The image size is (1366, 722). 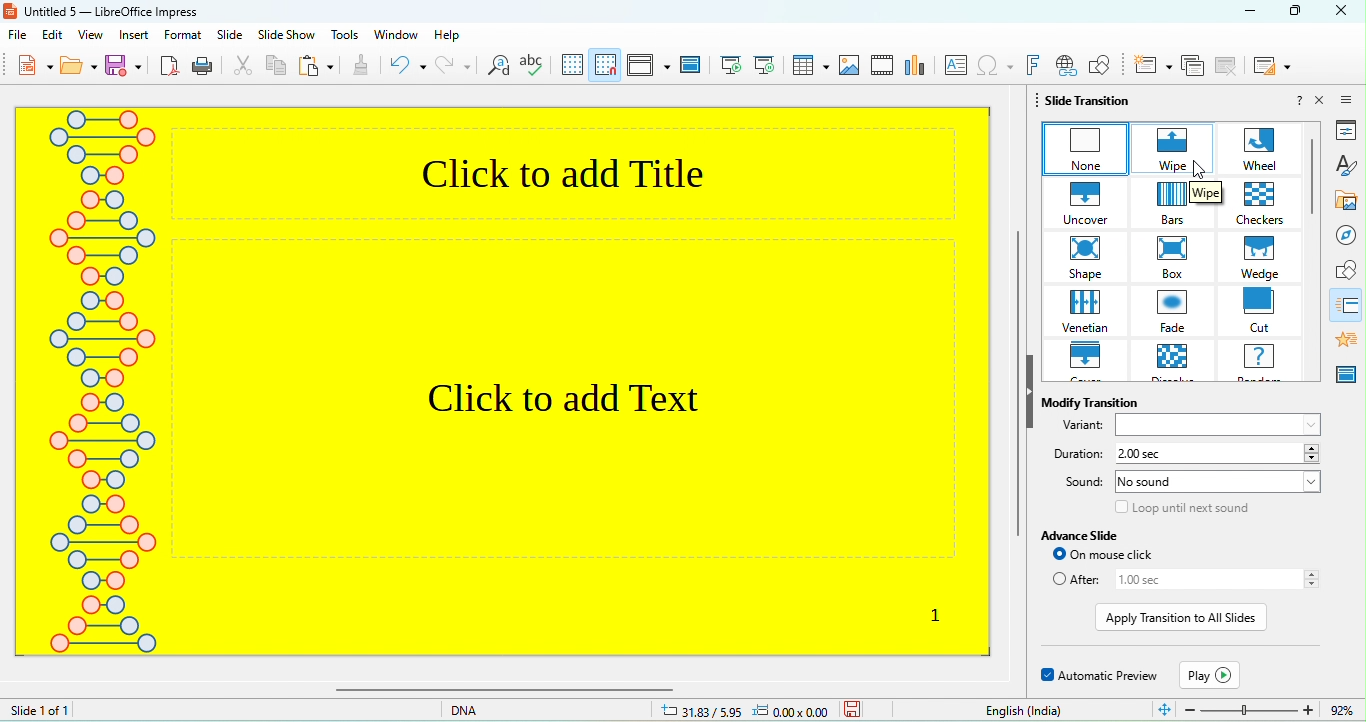 I want to click on slide transition, so click(x=1094, y=102).